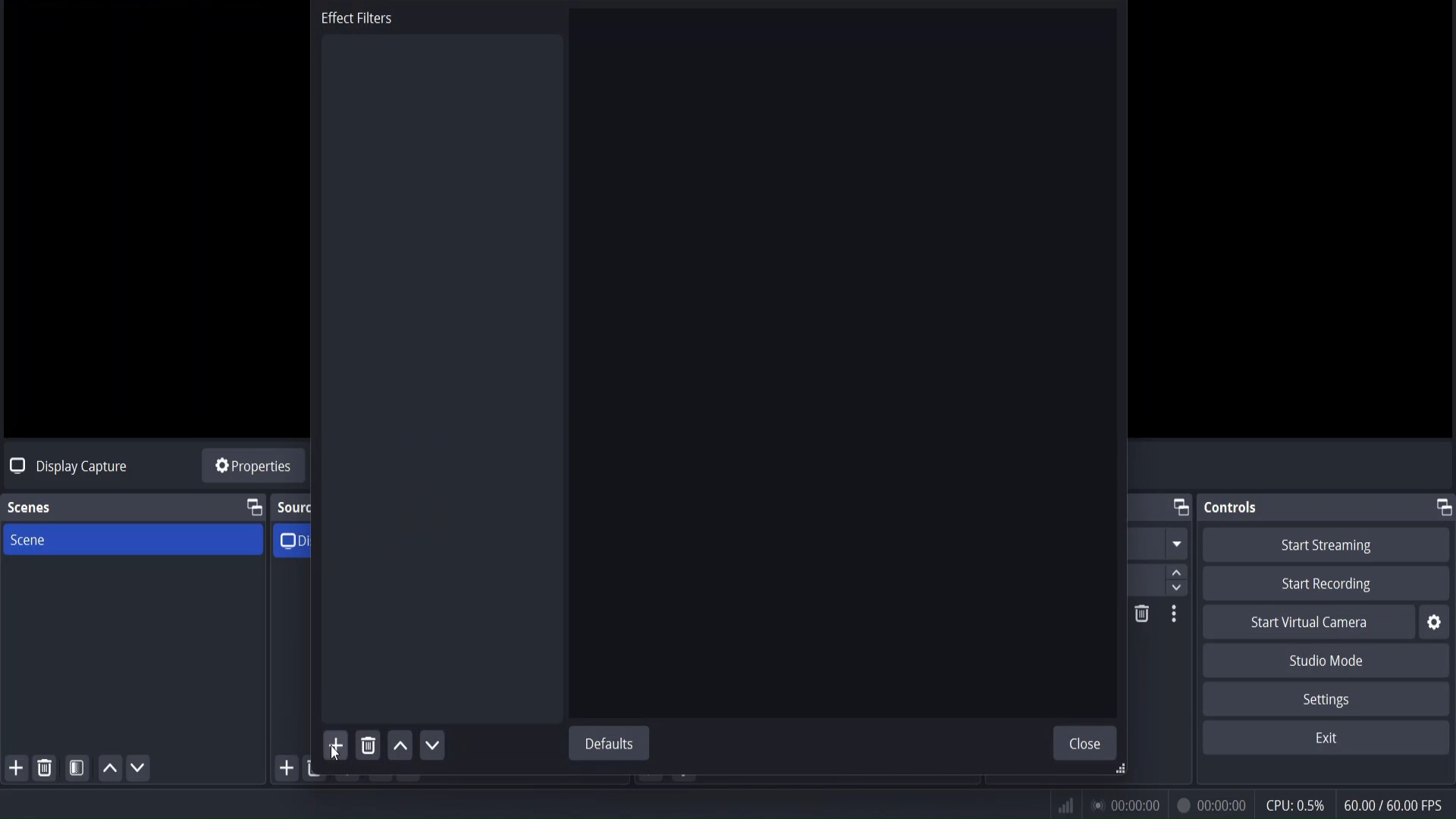 Image resolution: width=1456 pixels, height=819 pixels. What do you see at coordinates (1328, 545) in the screenshot?
I see `start streaming` at bounding box center [1328, 545].